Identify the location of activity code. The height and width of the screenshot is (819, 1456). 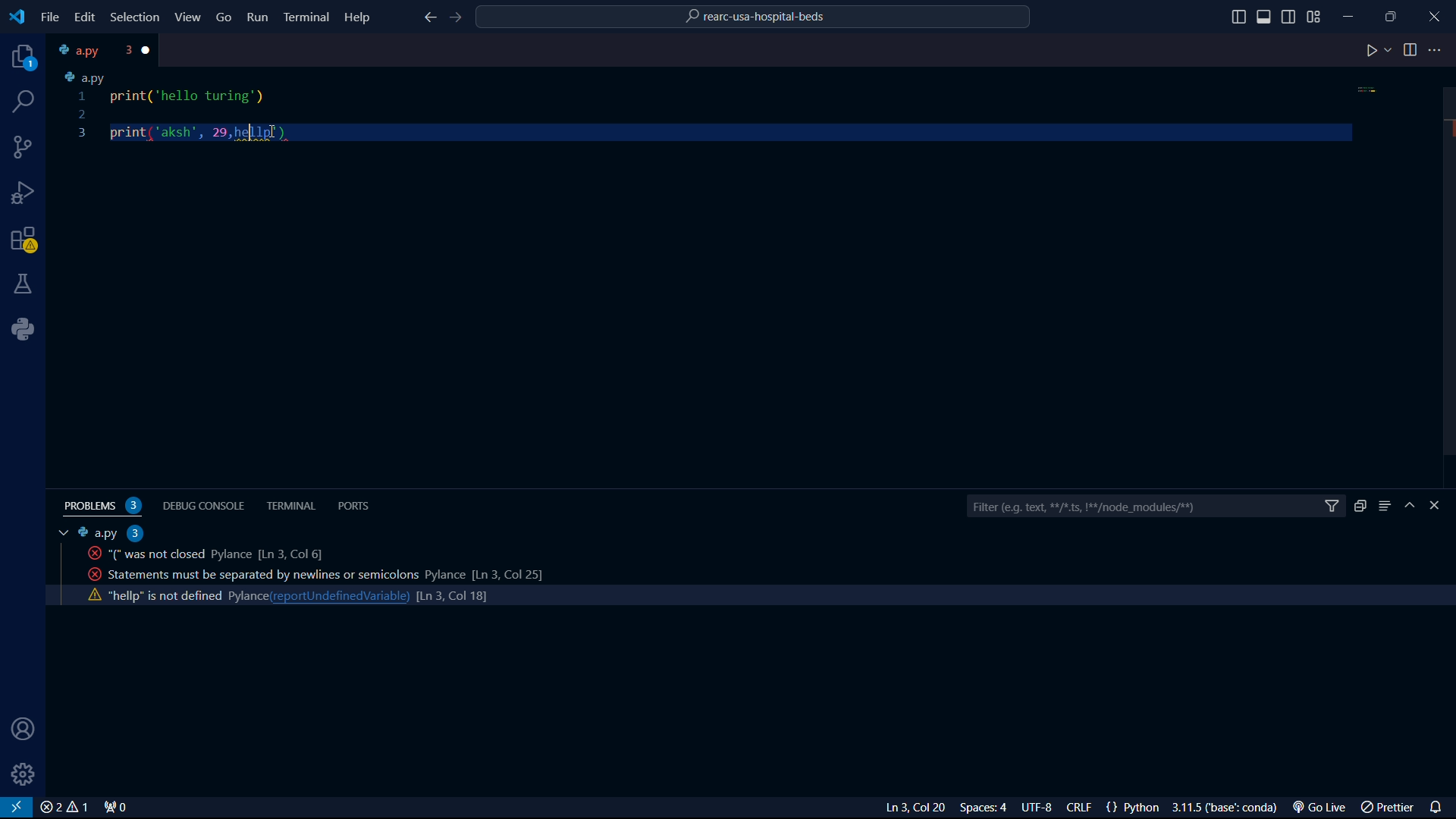
(306, 573).